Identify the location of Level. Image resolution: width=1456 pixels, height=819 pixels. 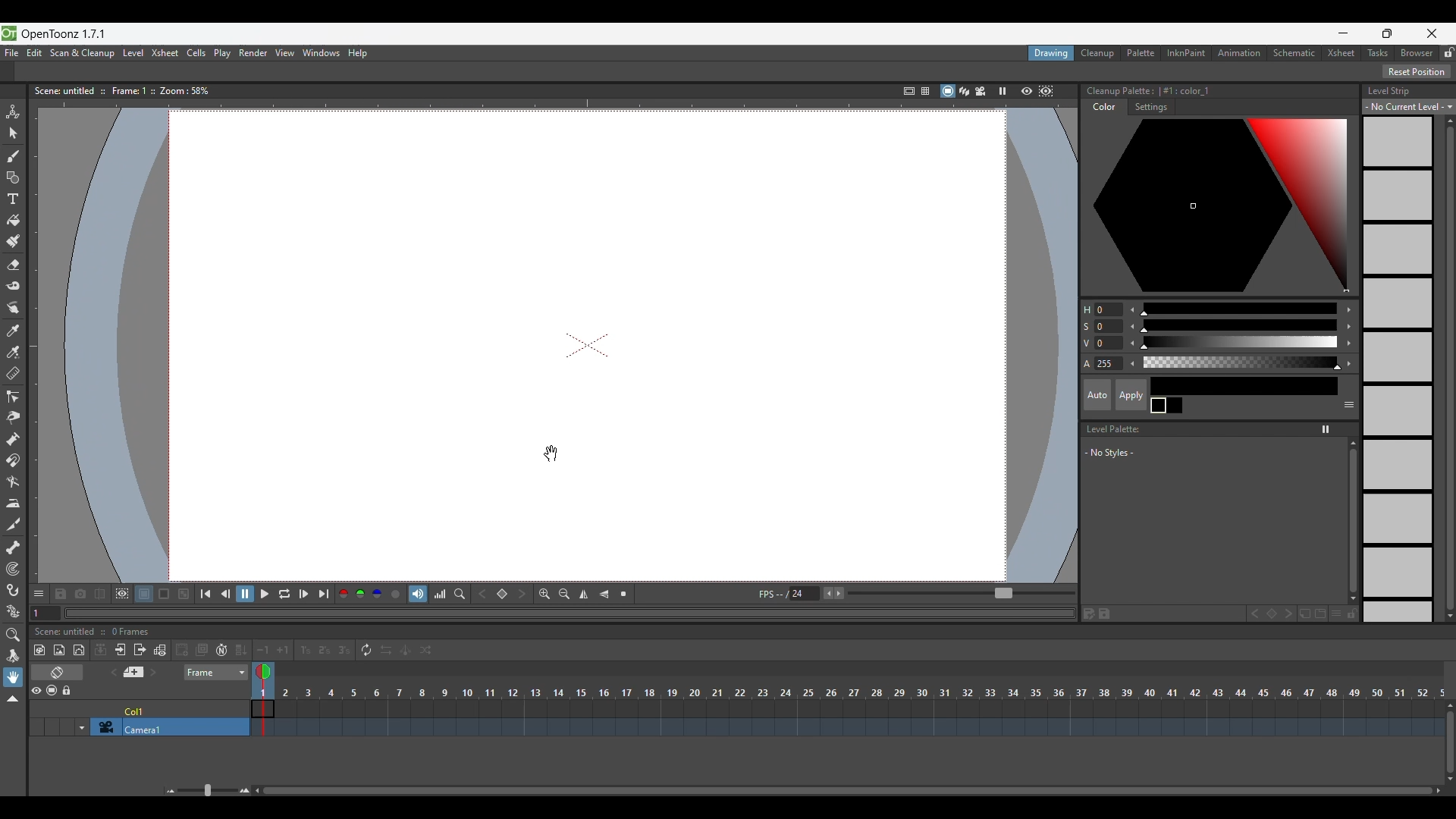
(133, 53).